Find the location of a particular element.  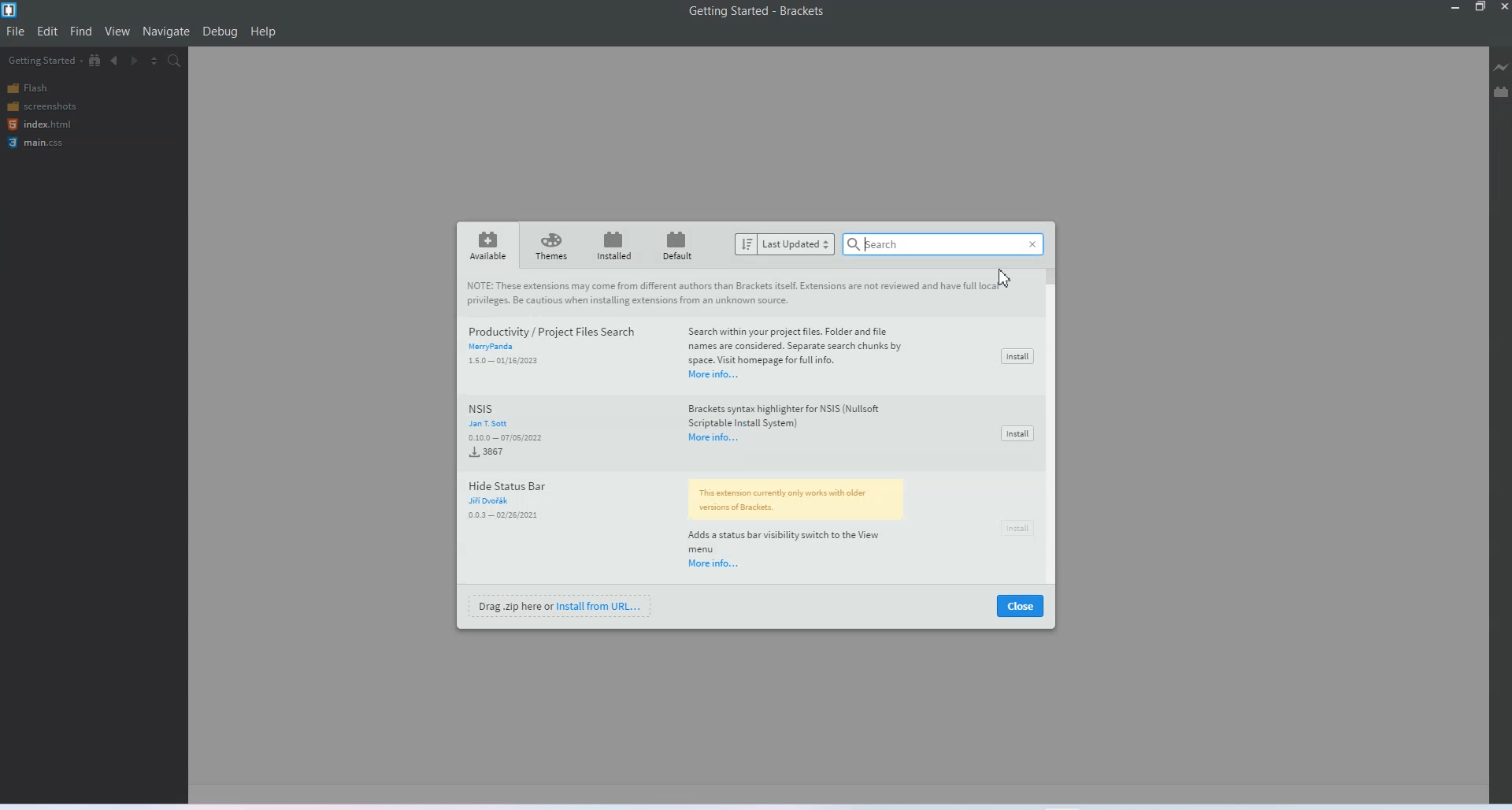

Brackets is located at coordinates (802, 10).